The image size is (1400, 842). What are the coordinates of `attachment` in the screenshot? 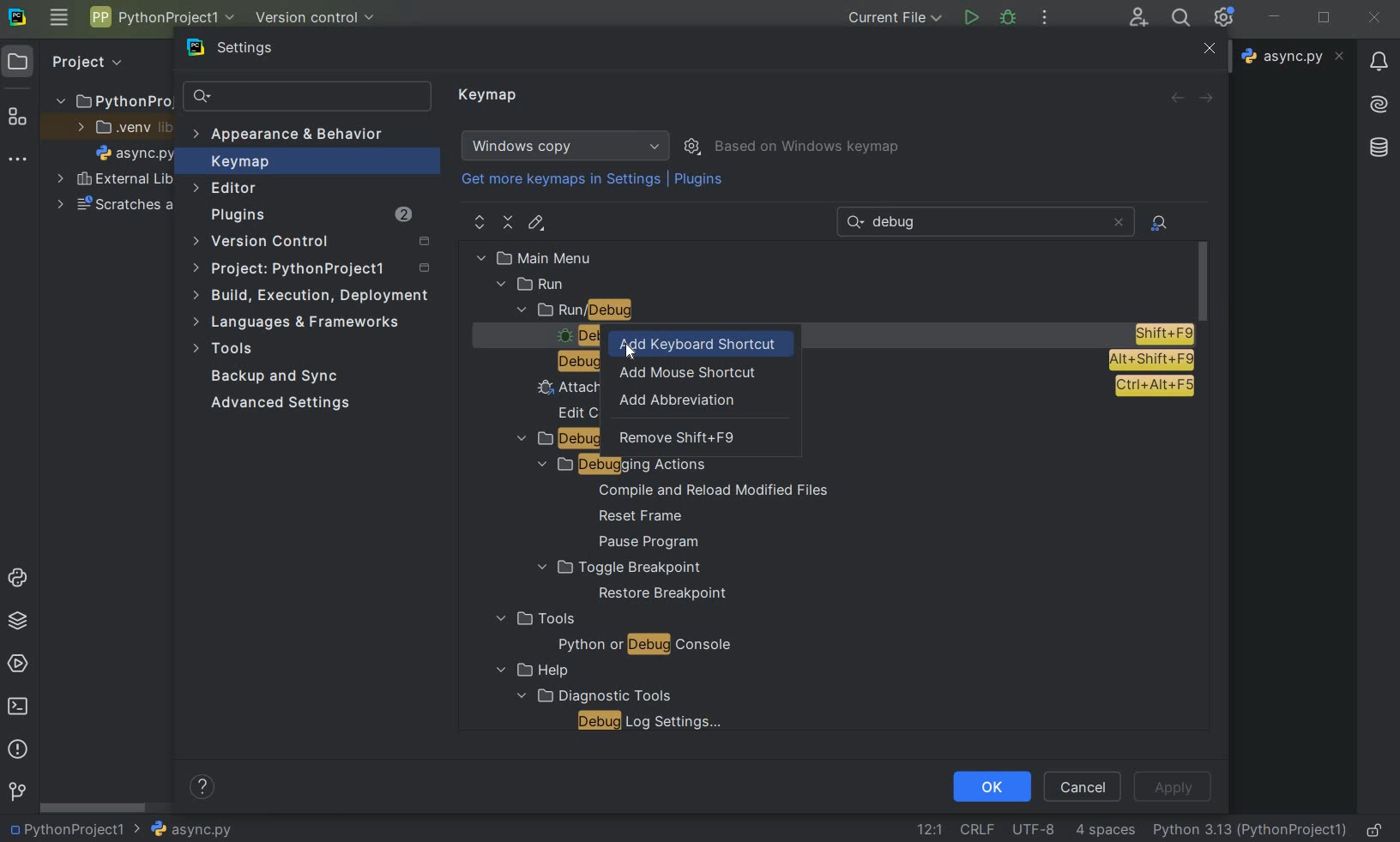 It's located at (561, 388).